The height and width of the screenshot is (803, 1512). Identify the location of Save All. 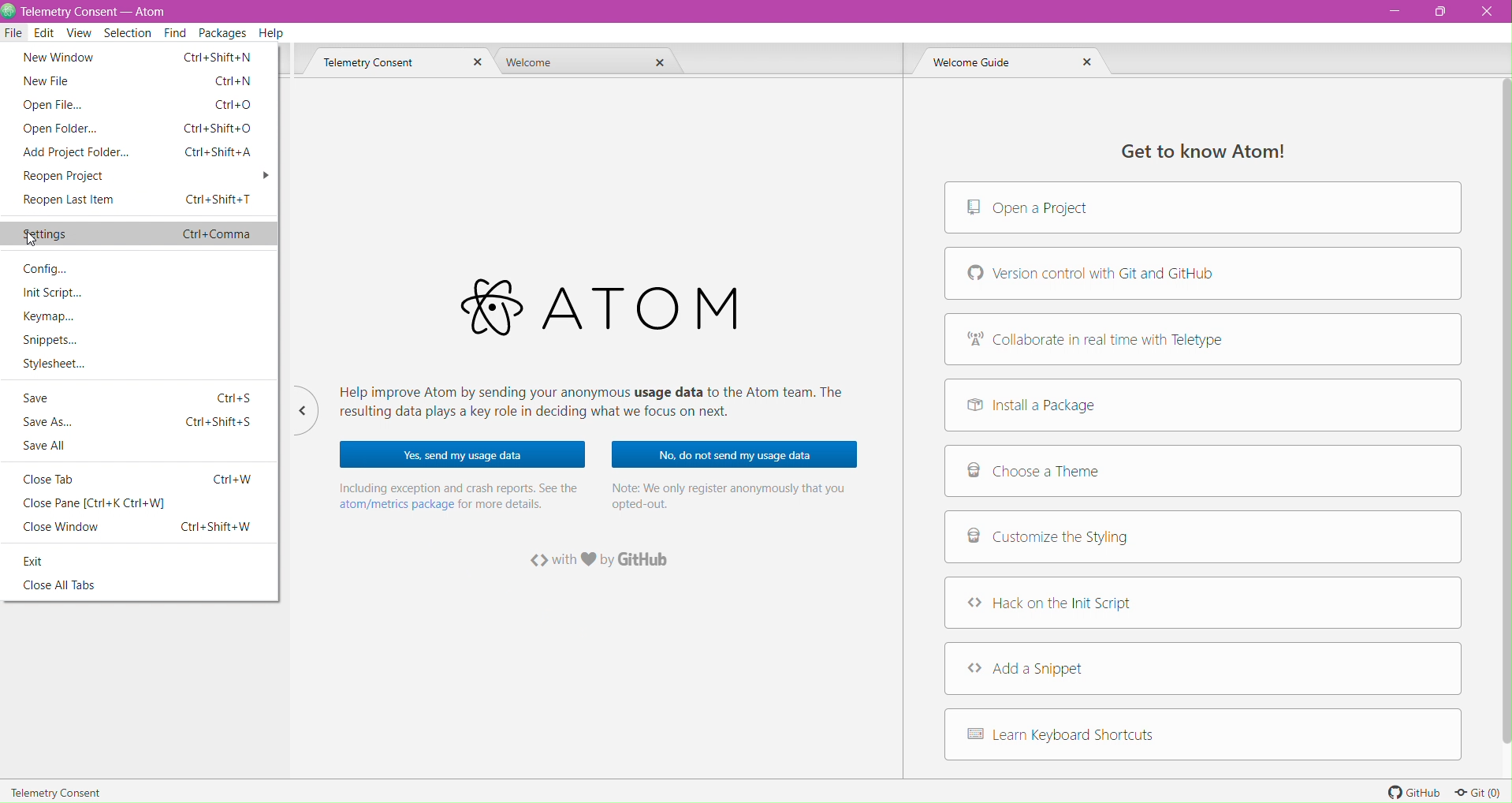
(99, 446).